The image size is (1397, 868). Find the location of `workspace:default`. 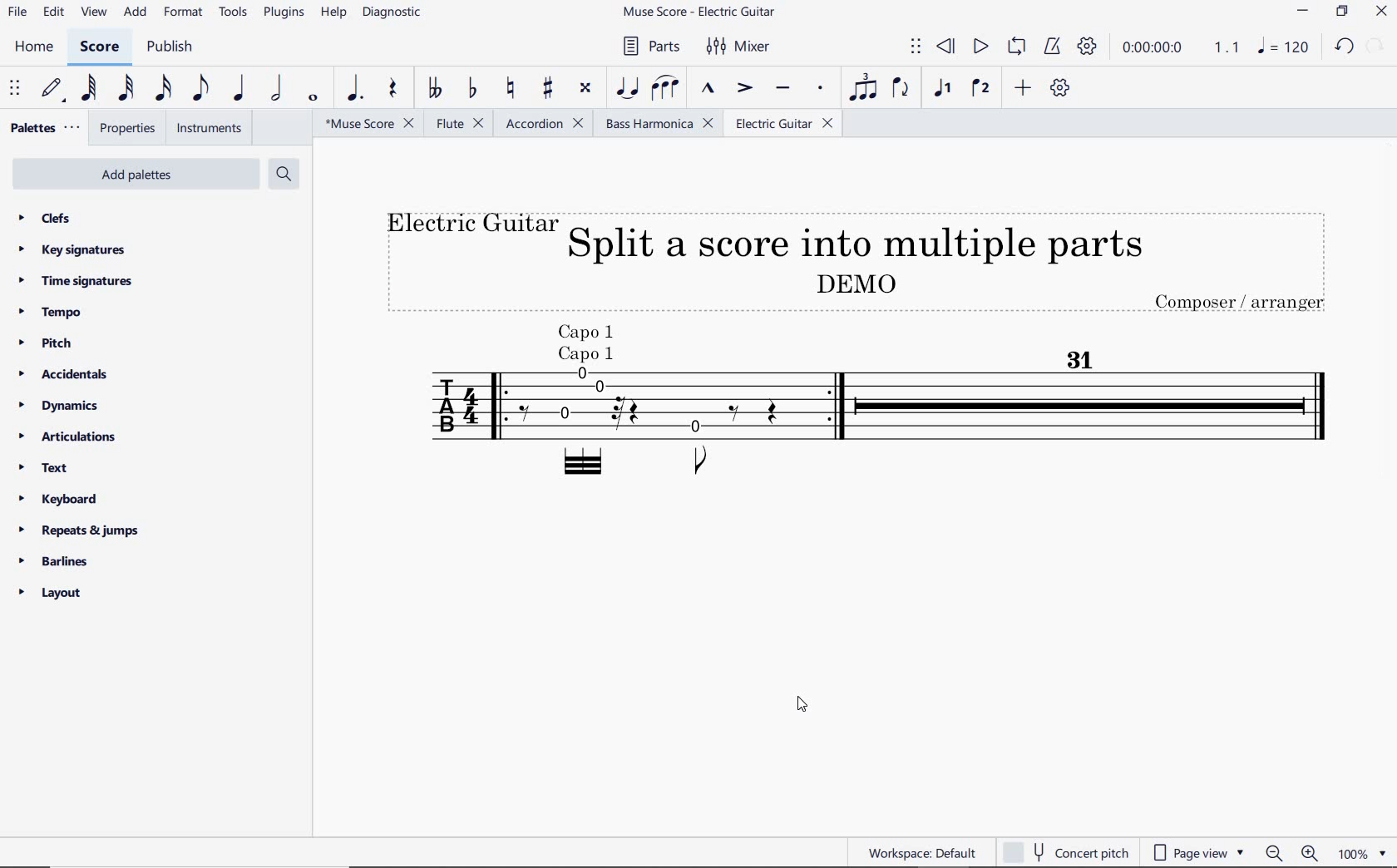

workspace:default is located at coordinates (926, 855).